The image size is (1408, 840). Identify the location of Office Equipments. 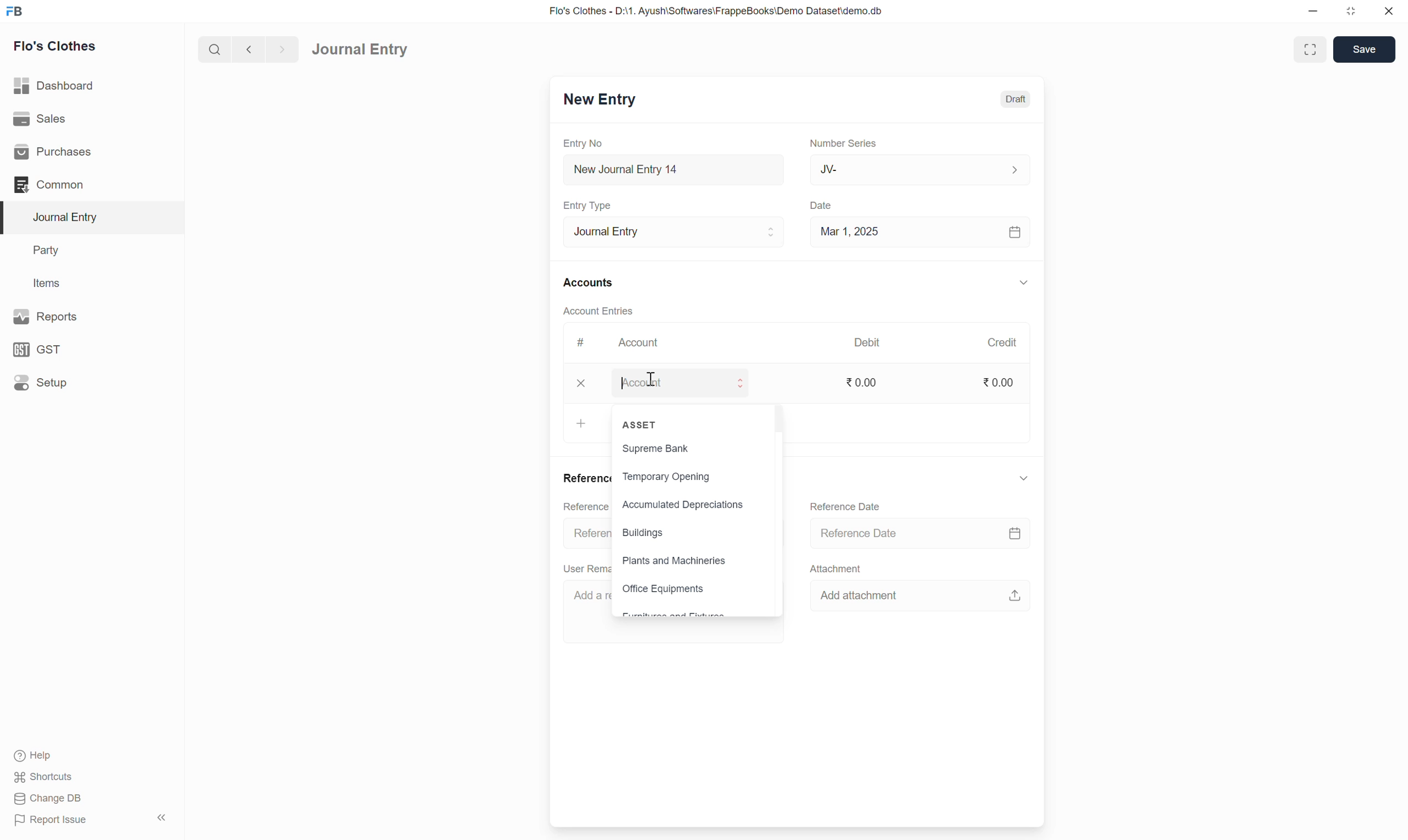
(663, 589).